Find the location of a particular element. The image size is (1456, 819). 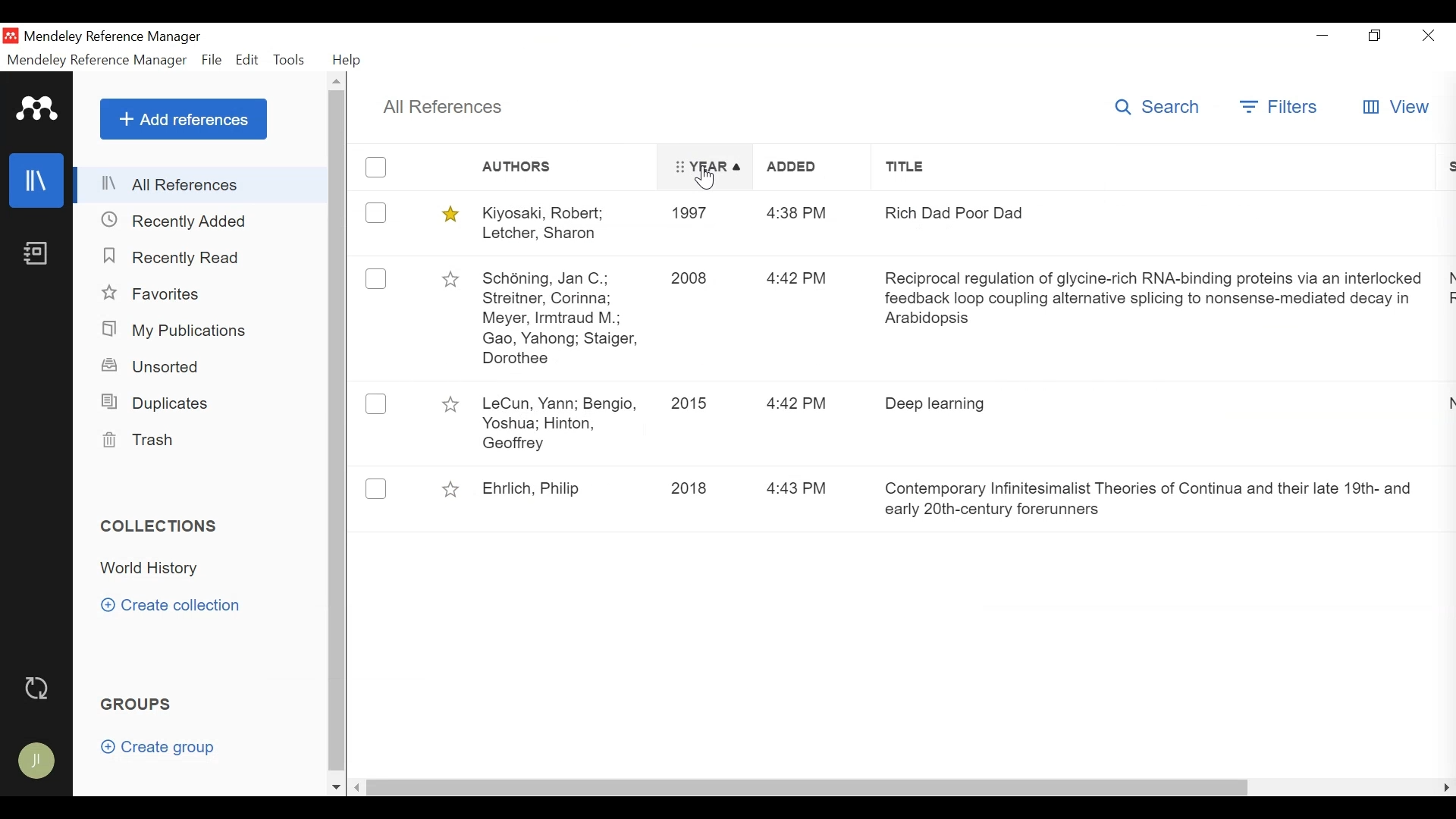

File is located at coordinates (211, 60).